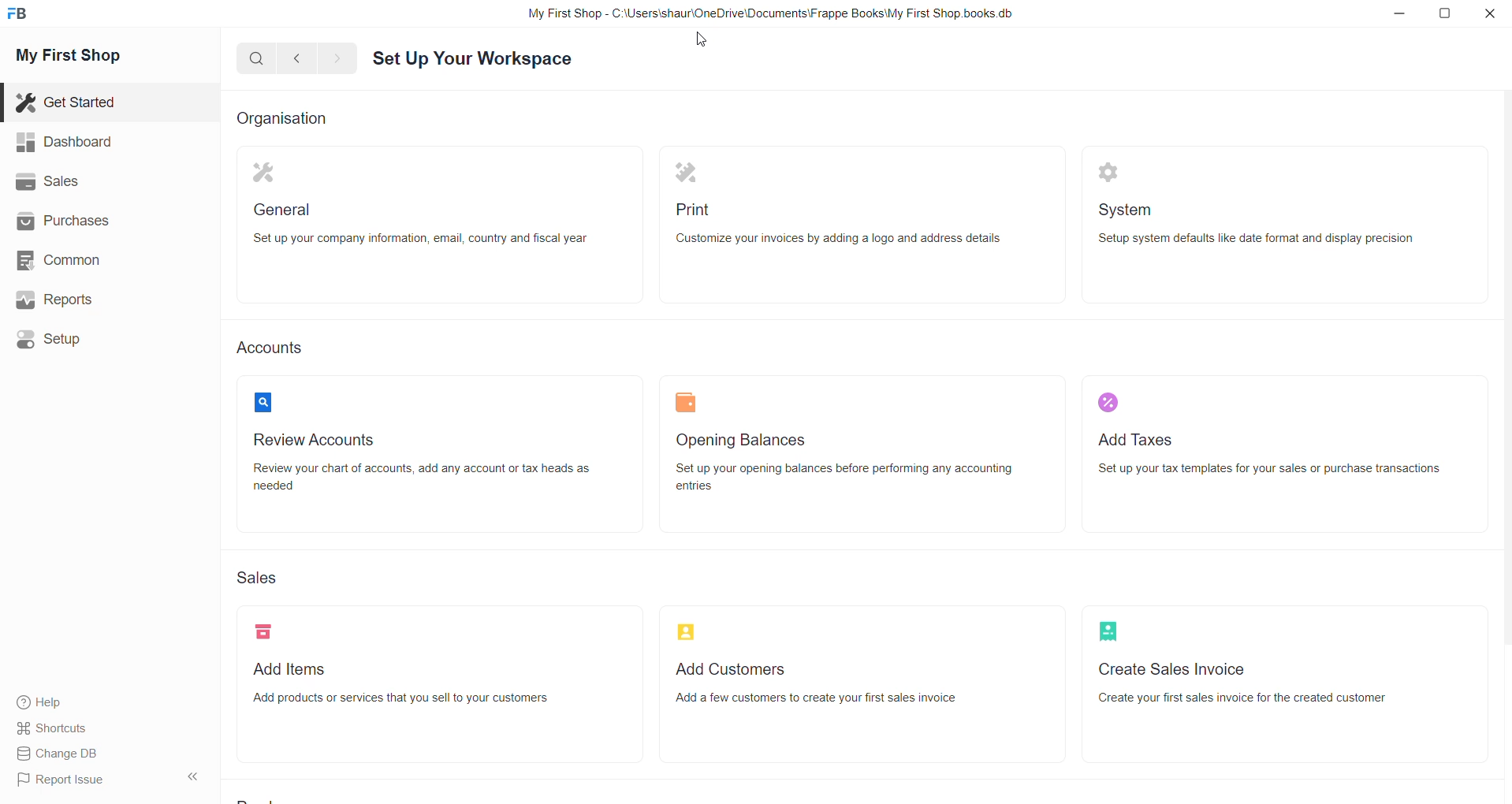  Describe the element at coordinates (50, 702) in the screenshot. I see `Help` at that location.